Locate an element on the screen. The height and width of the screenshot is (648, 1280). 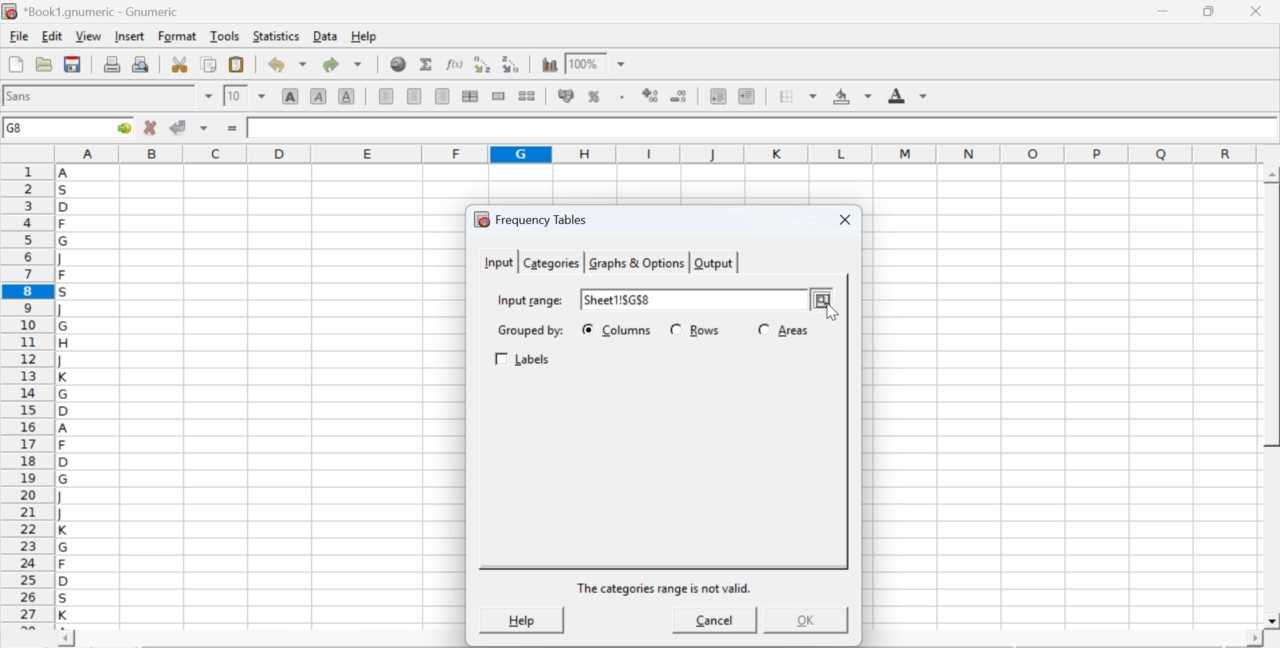
application name is located at coordinates (94, 9).